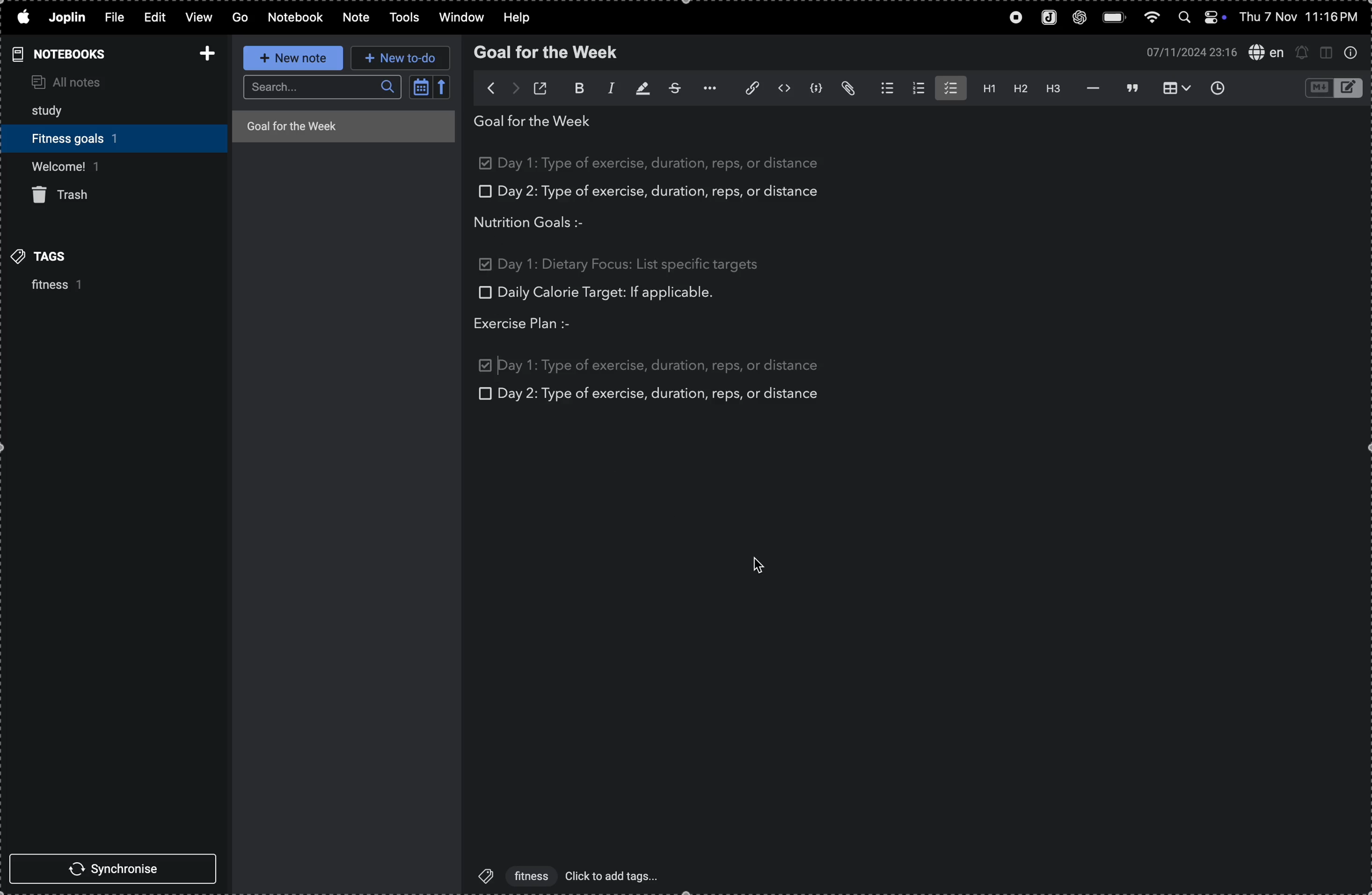 The image size is (1372, 895). What do you see at coordinates (322, 88) in the screenshot?
I see `search` at bounding box center [322, 88].